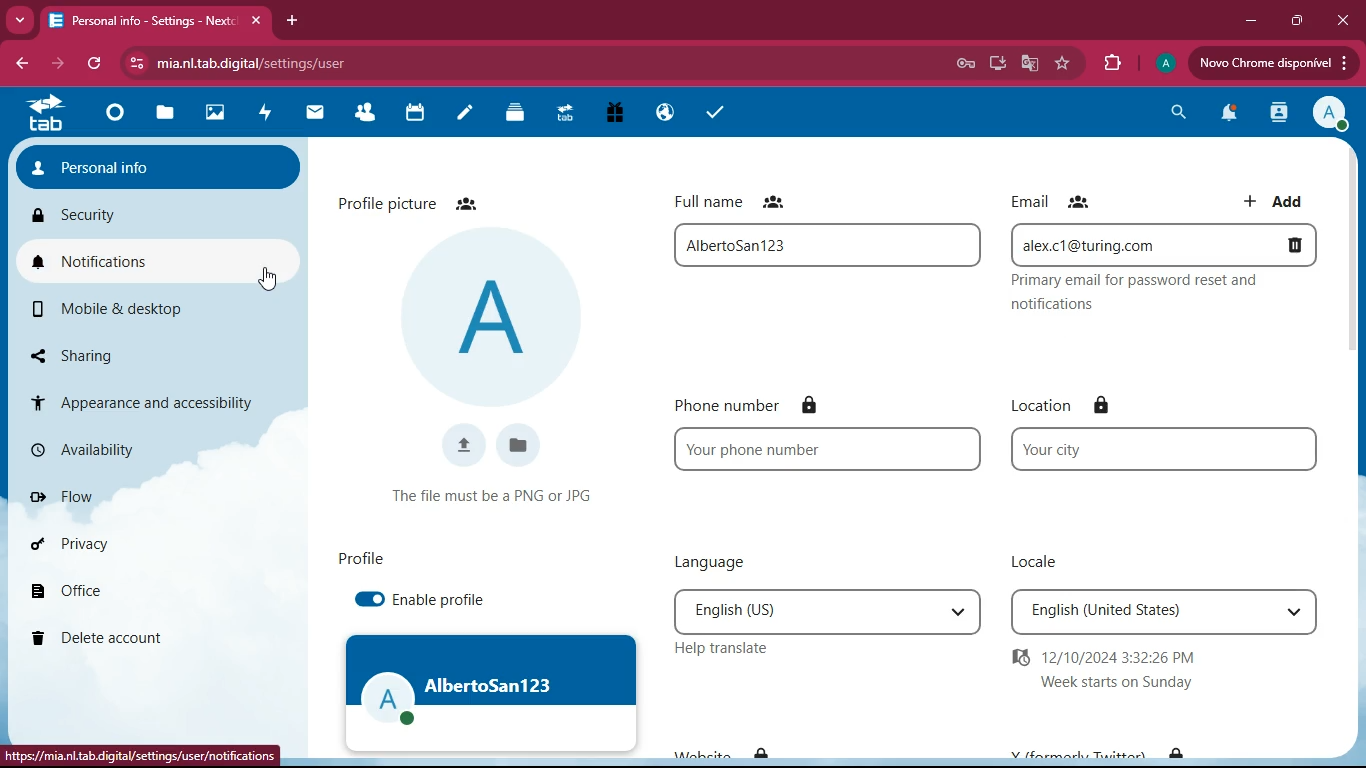 The image size is (1366, 768). What do you see at coordinates (522, 444) in the screenshot?
I see `files` at bounding box center [522, 444].